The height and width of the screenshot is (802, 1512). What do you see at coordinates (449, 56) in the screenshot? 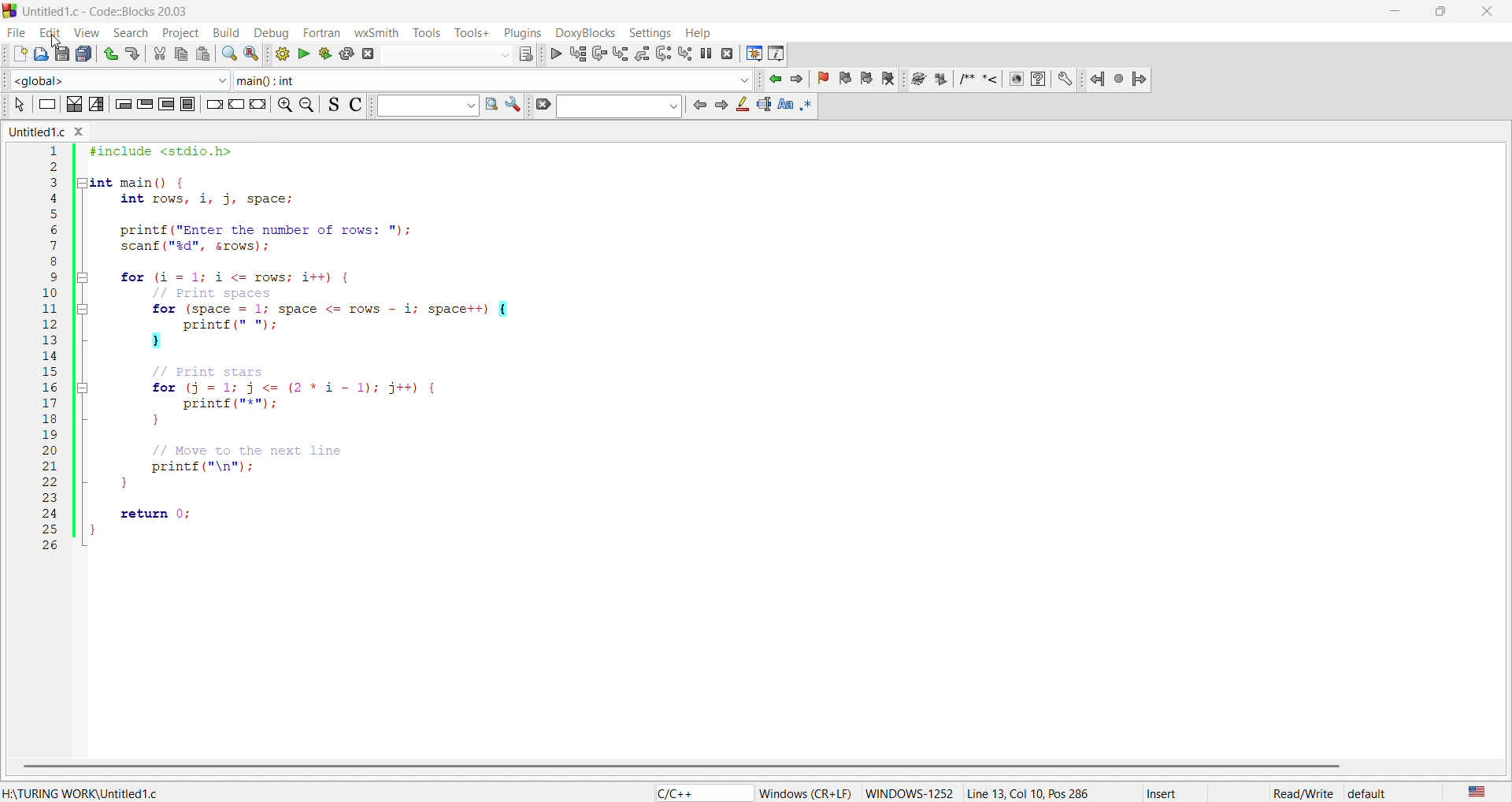
I see `input ` at bounding box center [449, 56].